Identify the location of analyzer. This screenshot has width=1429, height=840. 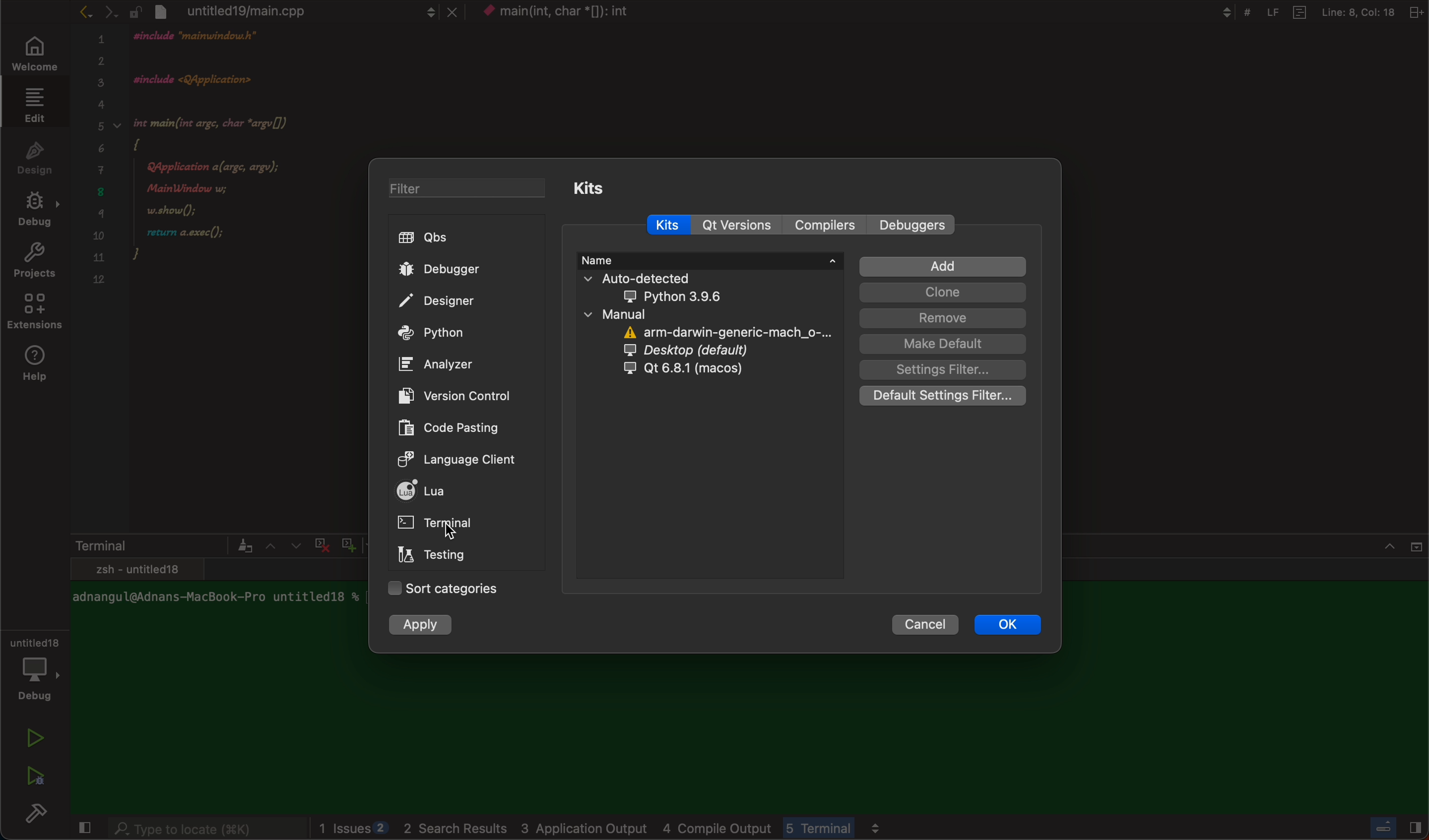
(442, 364).